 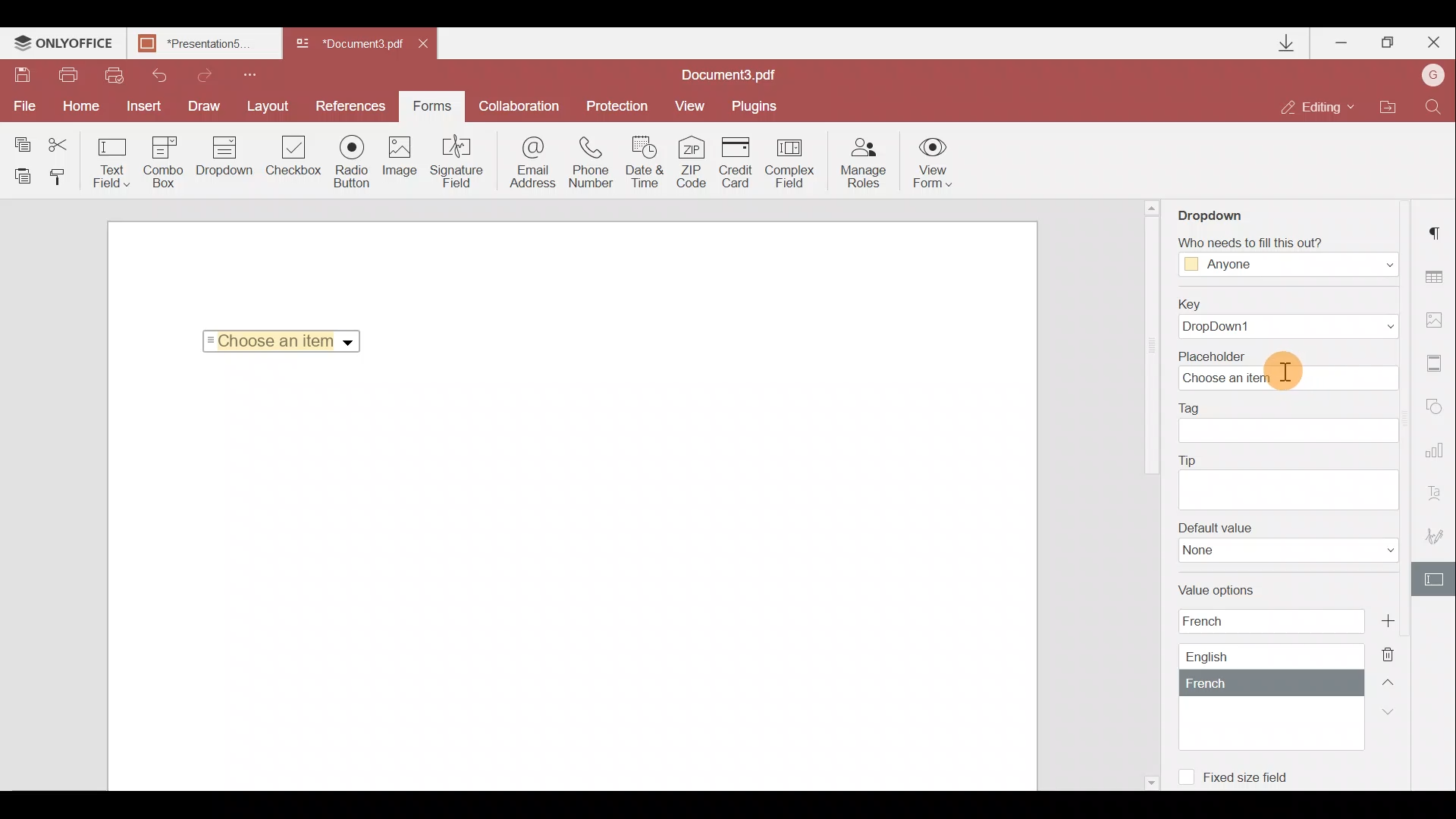 I want to click on Delete, so click(x=1397, y=653).